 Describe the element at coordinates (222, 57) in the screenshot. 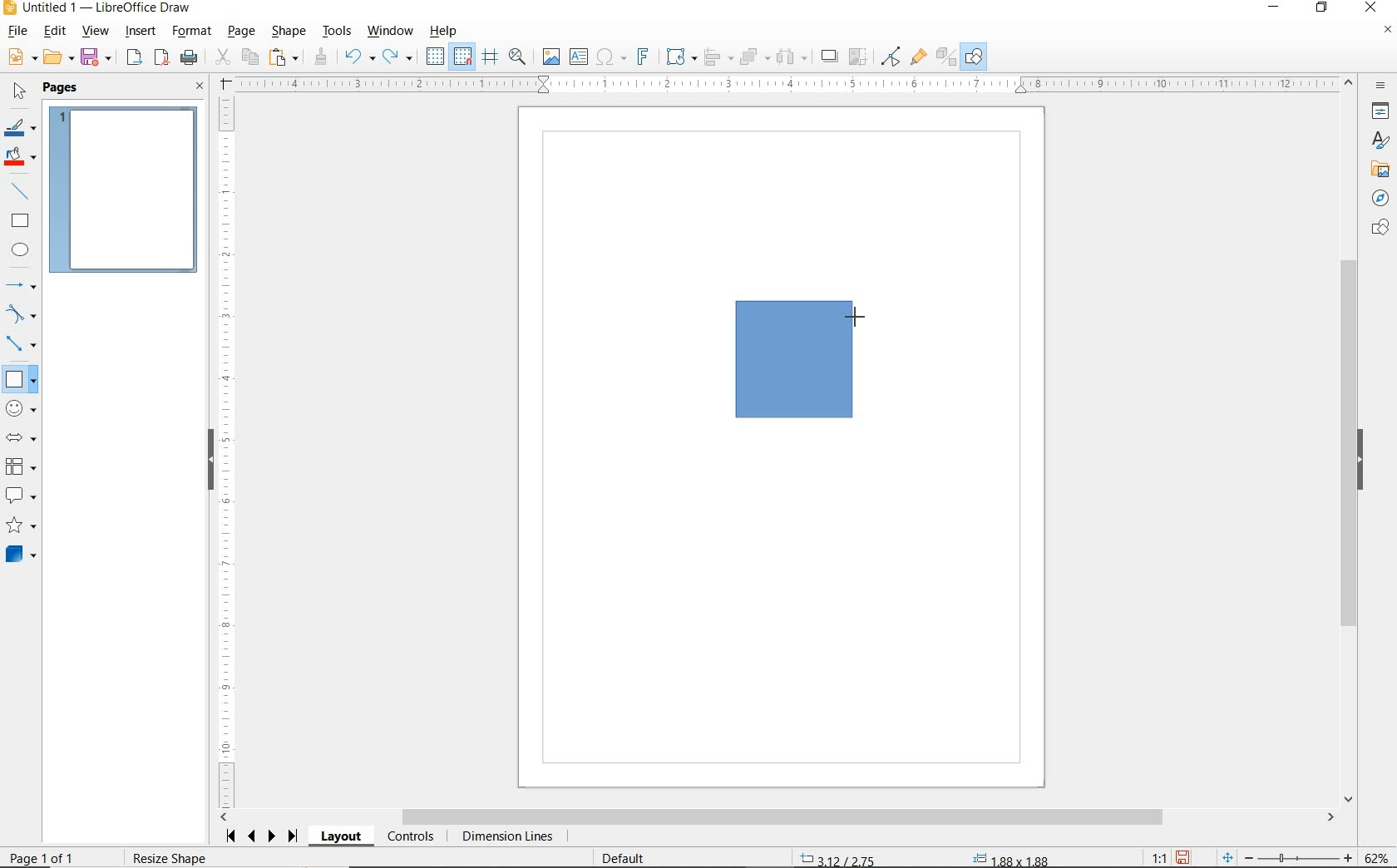

I see `CUT` at that location.